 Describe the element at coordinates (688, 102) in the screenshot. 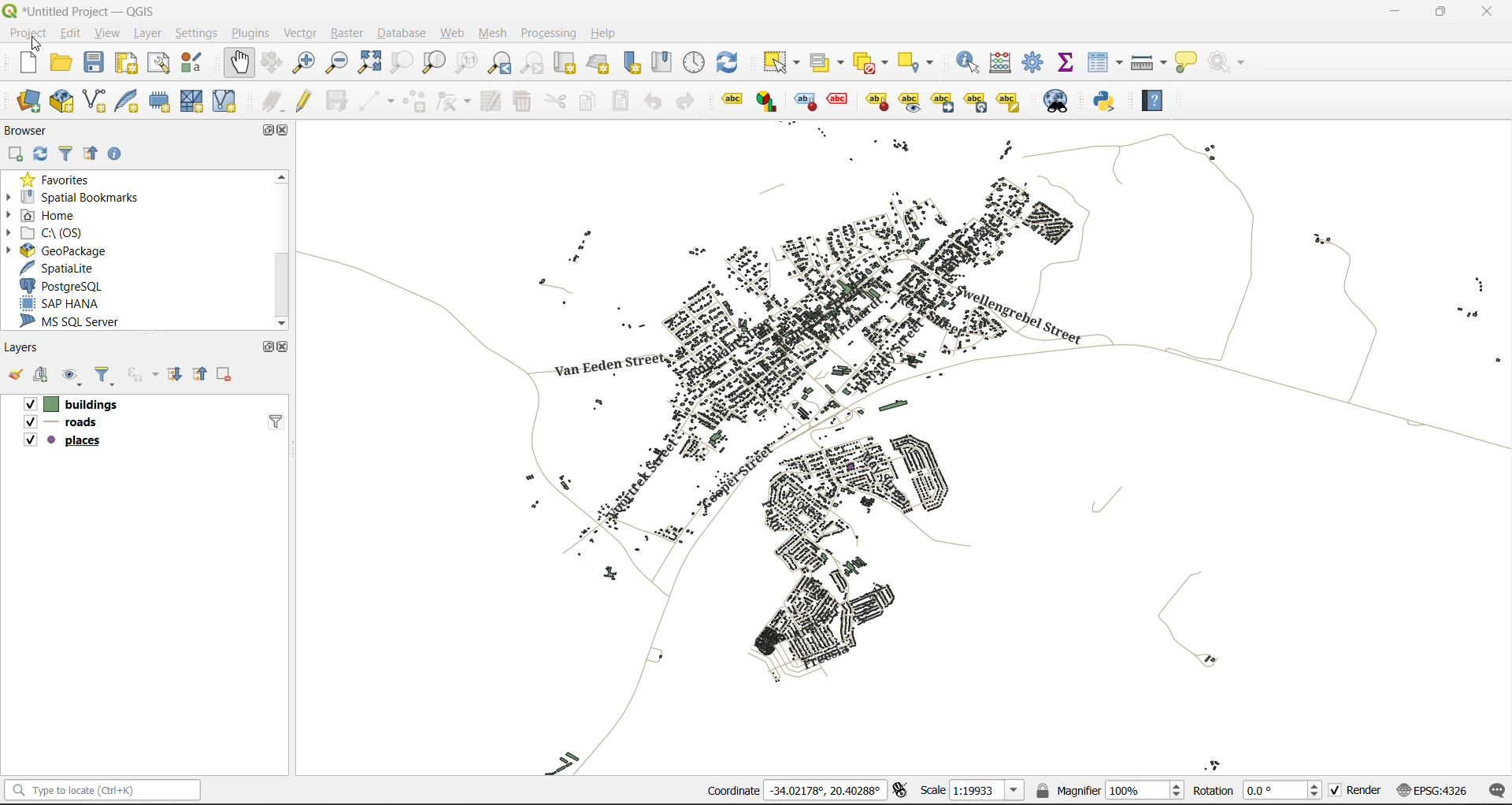

I see `redo` at that location.